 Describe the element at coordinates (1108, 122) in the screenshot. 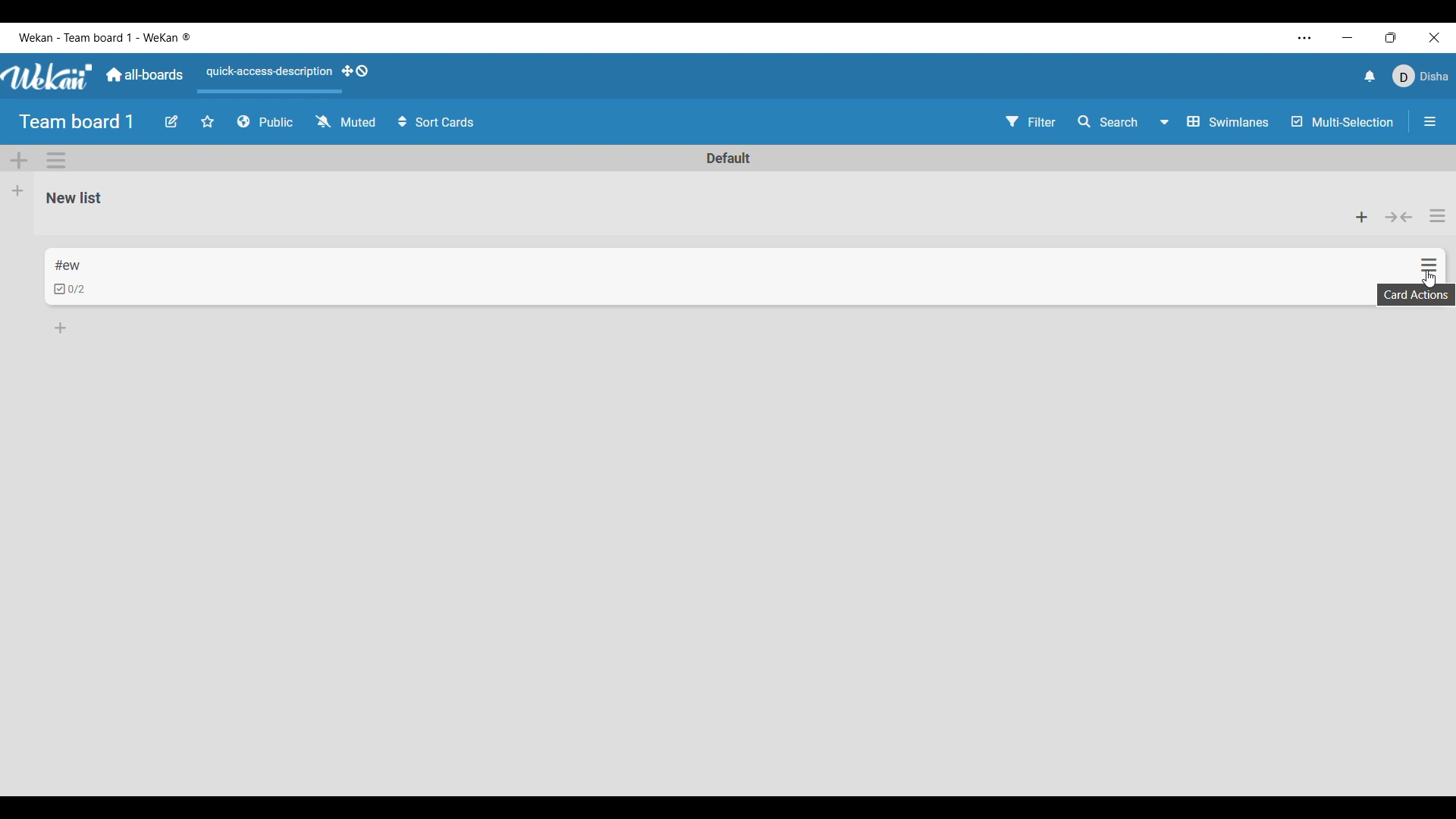

I see `Search` at that location.